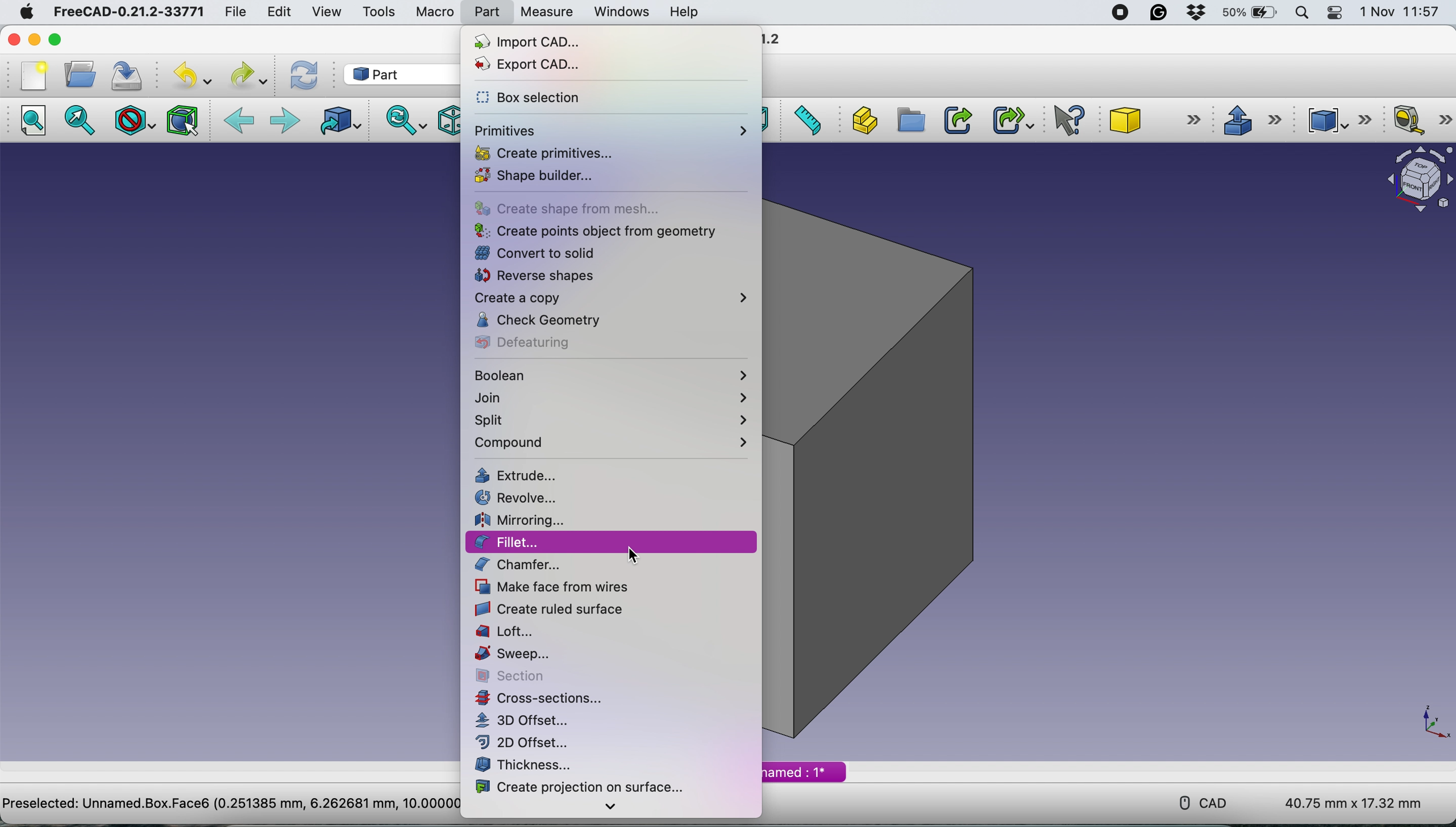 Image resolution: width=1456 pixels, height=827 pixels. I want to click on sweep, so click(514, 654).